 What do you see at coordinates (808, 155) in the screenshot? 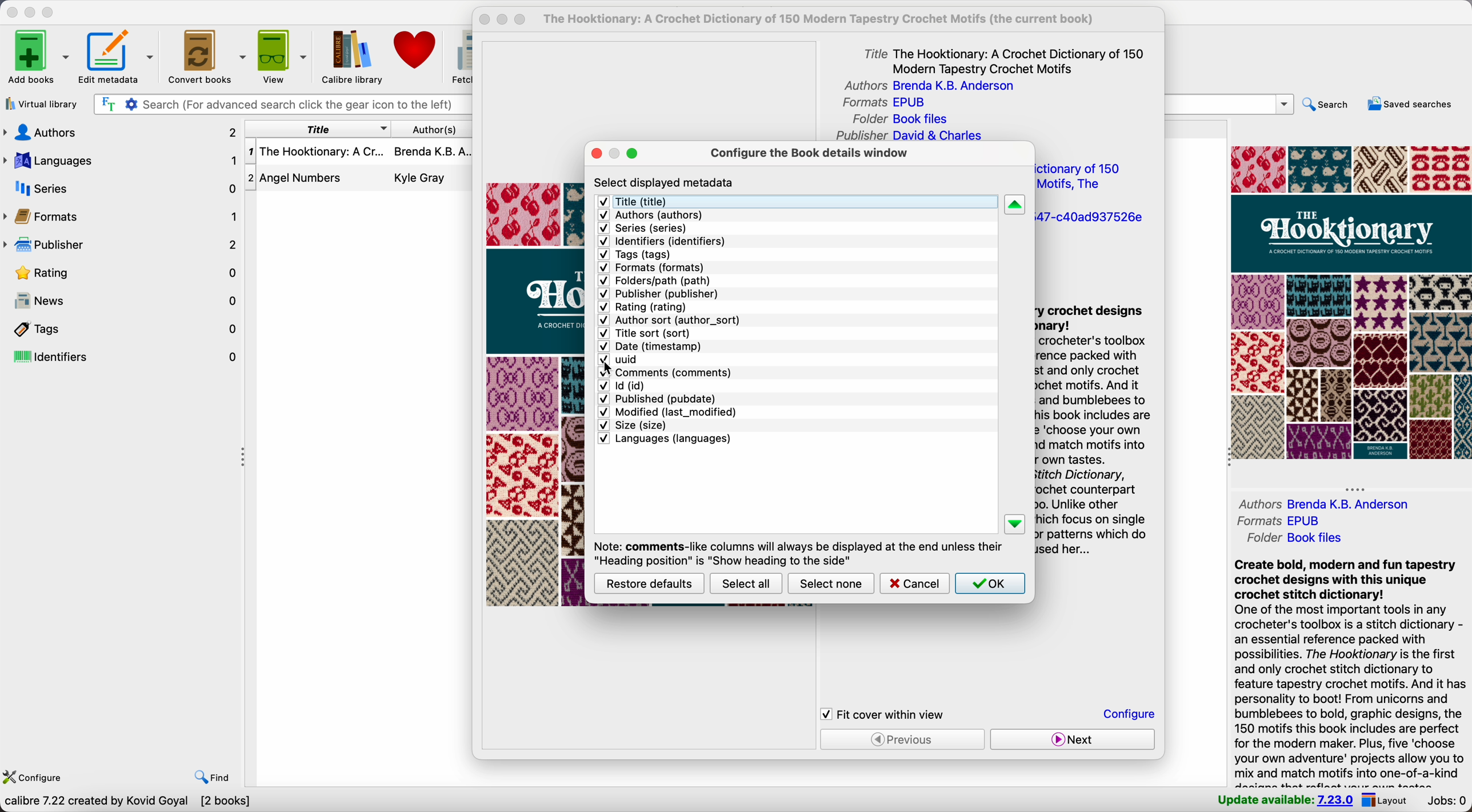
I see `configure the book details window` at bounding box center [808, 155].